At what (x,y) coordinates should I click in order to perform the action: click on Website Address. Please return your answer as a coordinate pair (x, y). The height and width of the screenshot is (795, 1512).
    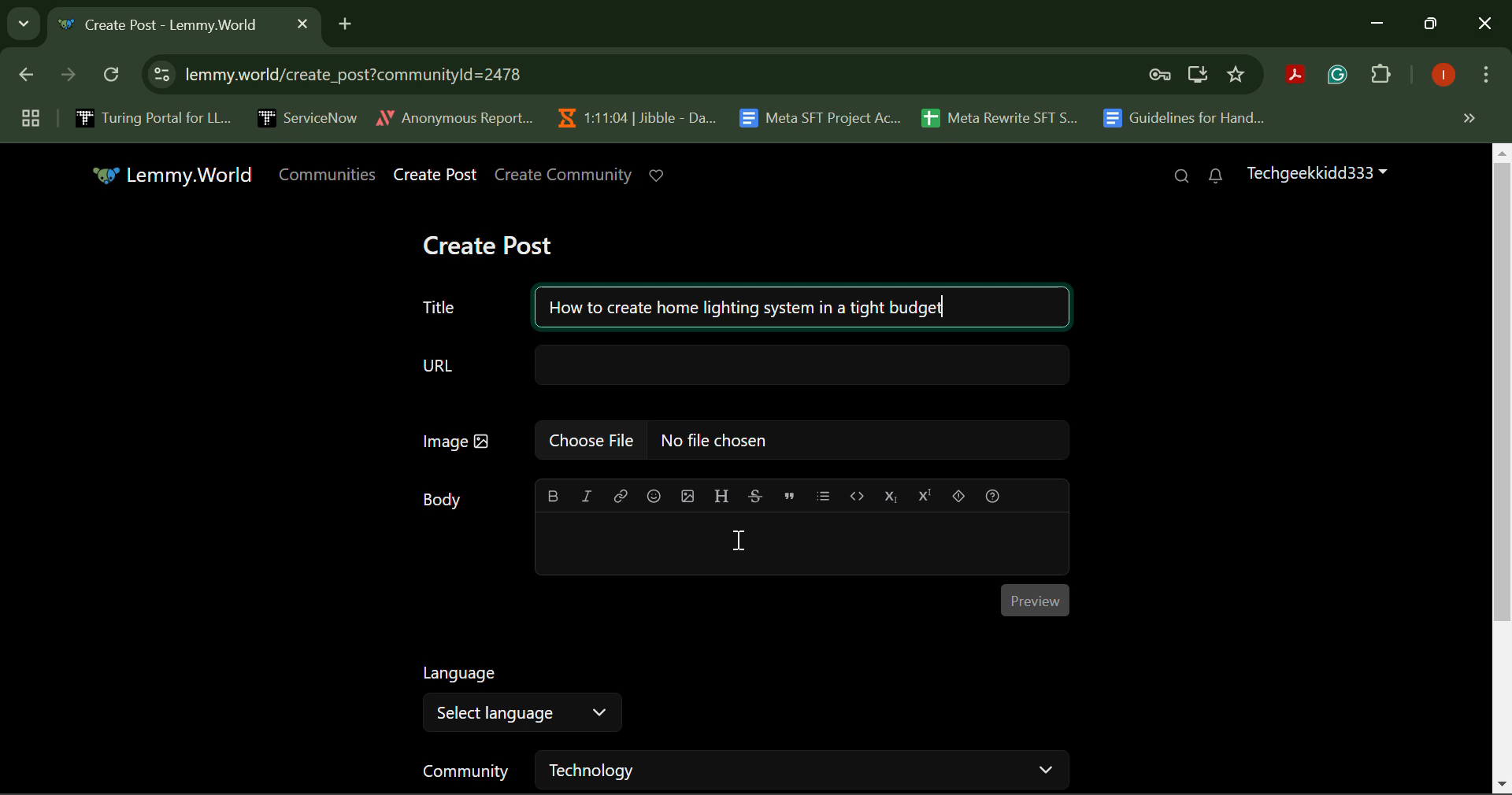
    Looking at the image, I should click on (554, 74).